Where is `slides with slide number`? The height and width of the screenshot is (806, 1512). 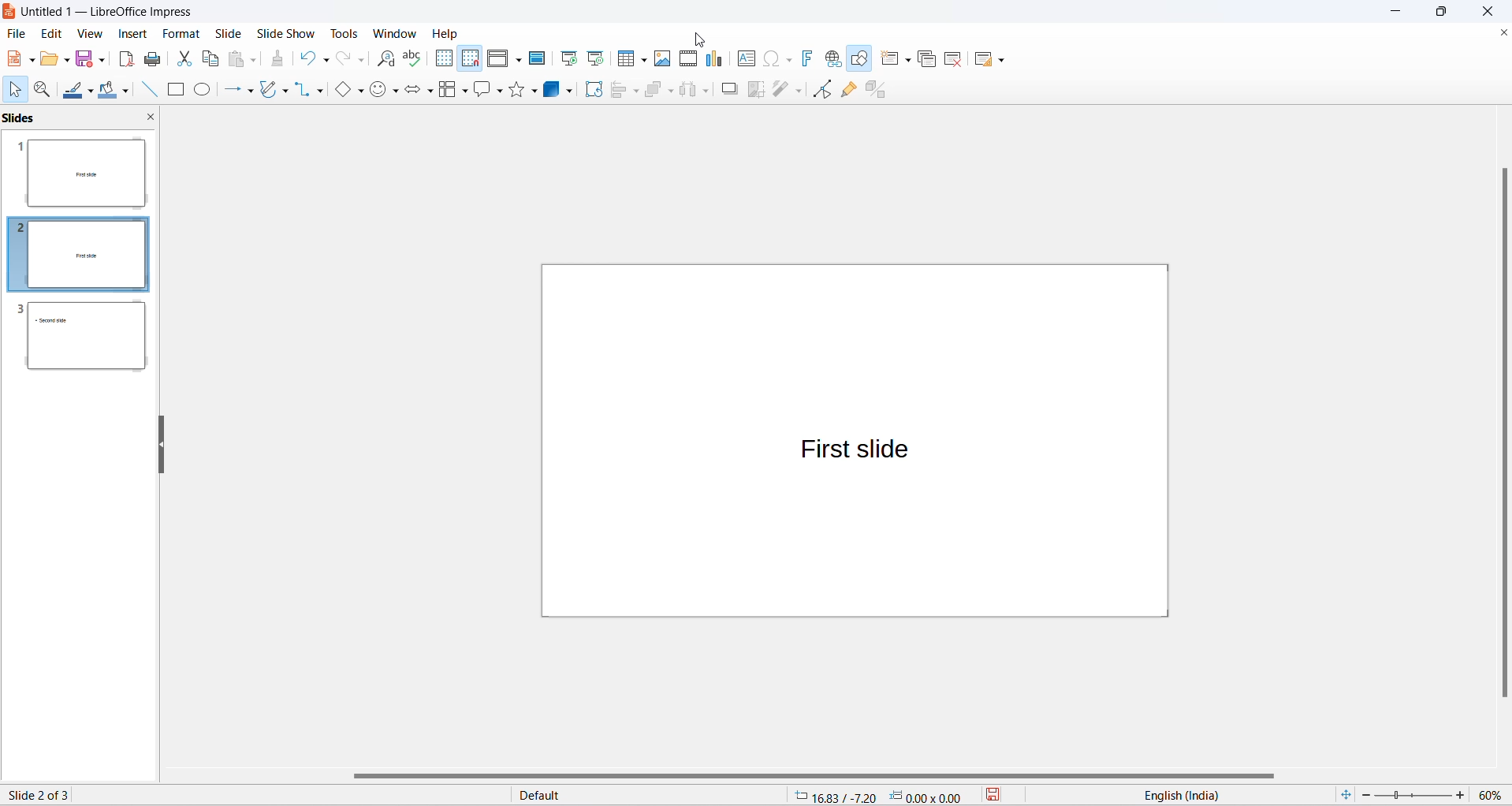
slides with slide number is located at coordinates (78, 259).